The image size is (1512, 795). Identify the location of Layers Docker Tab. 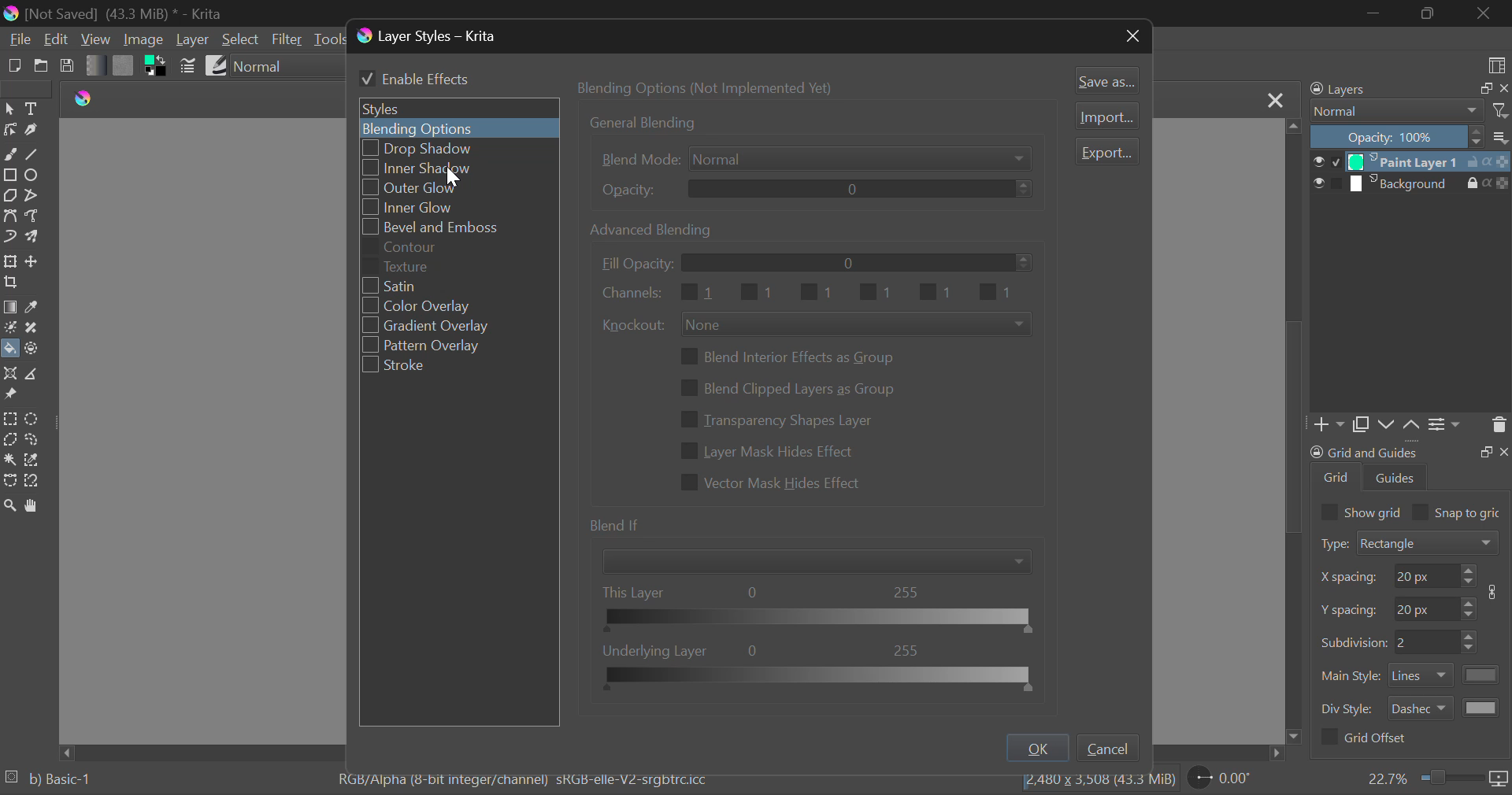
(1405, 91).